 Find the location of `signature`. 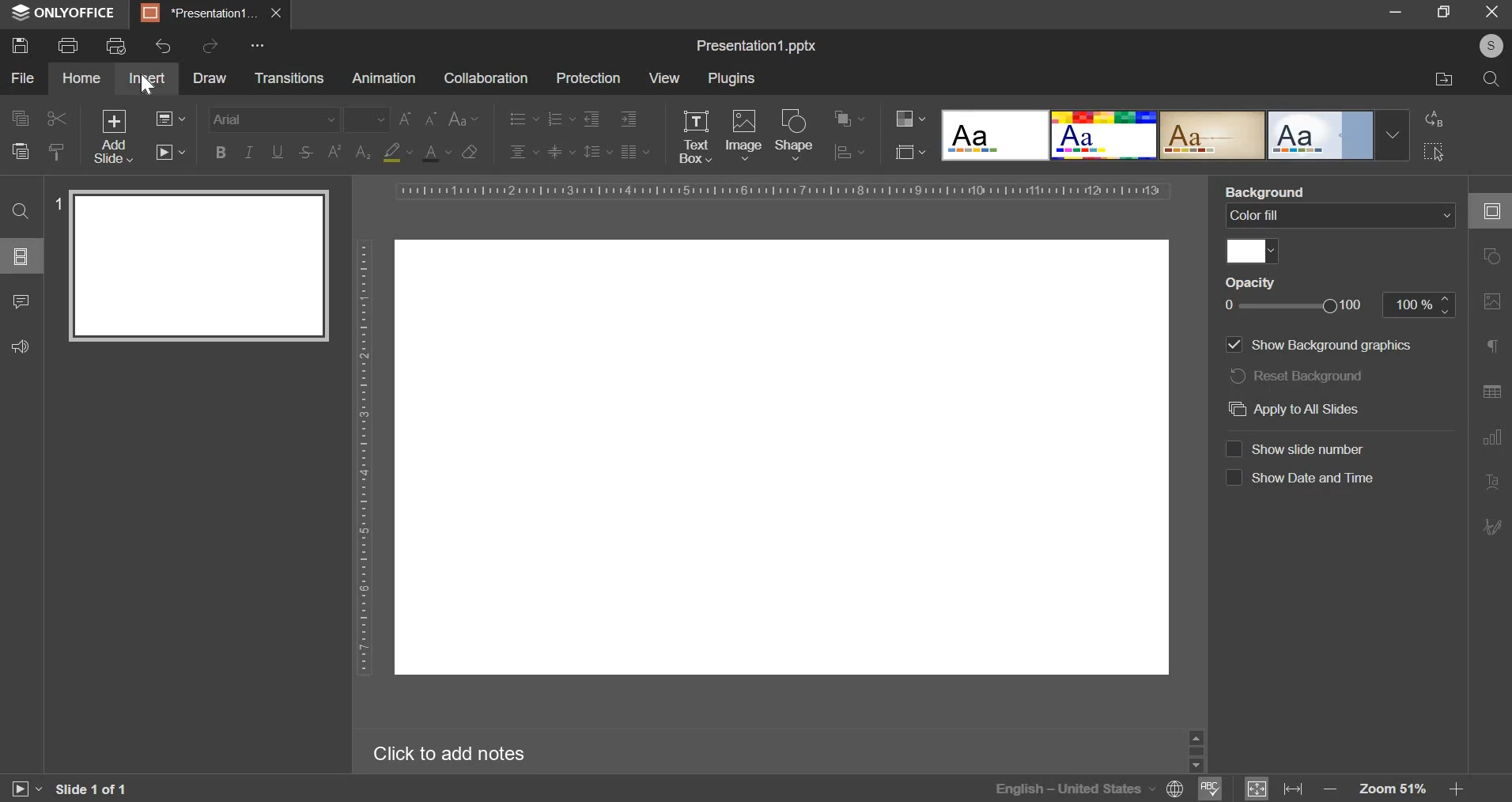

signature is located at coordinates (1491, 526).